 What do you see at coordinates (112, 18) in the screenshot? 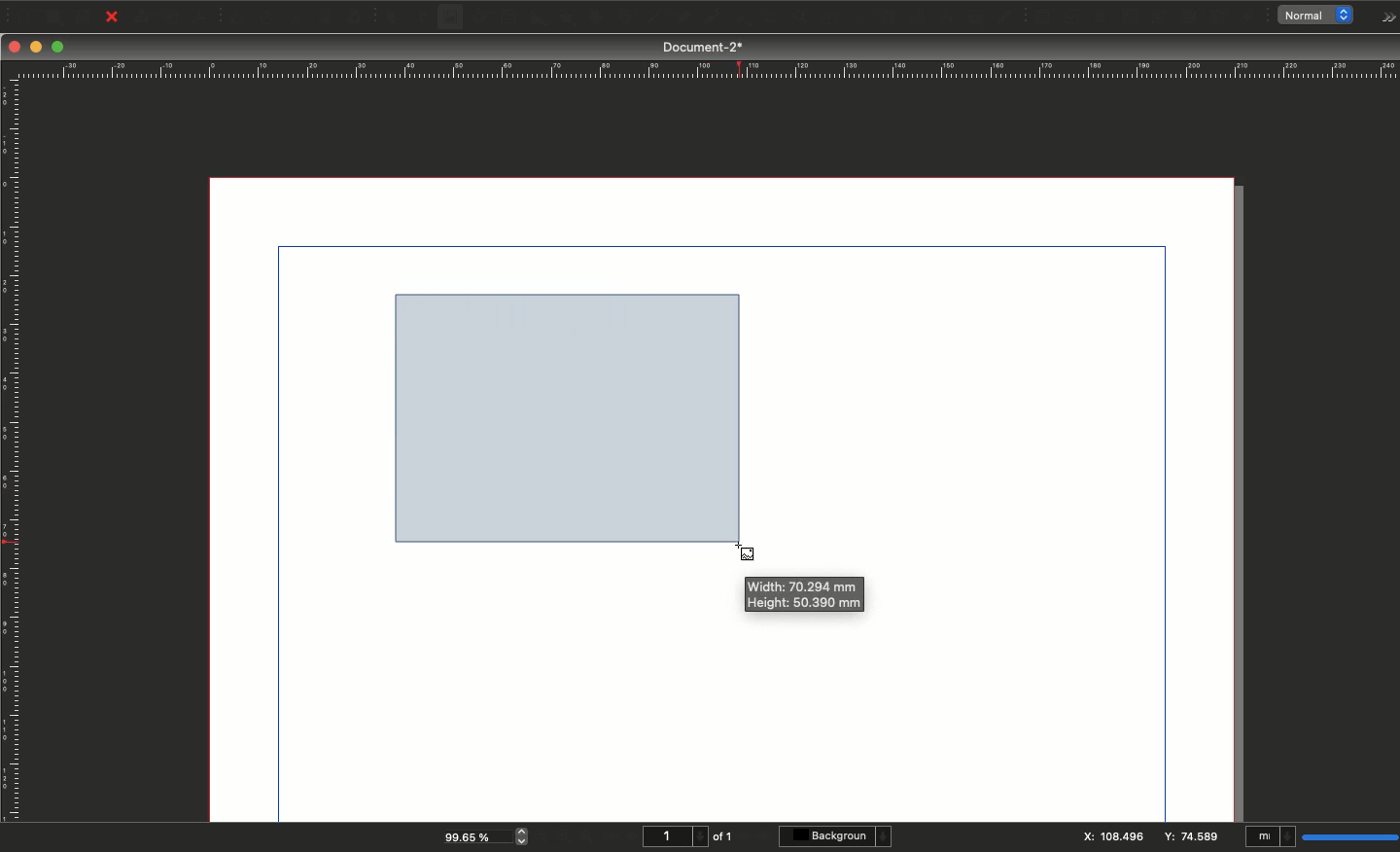
I see `Close` at bounding box center [112, 18].